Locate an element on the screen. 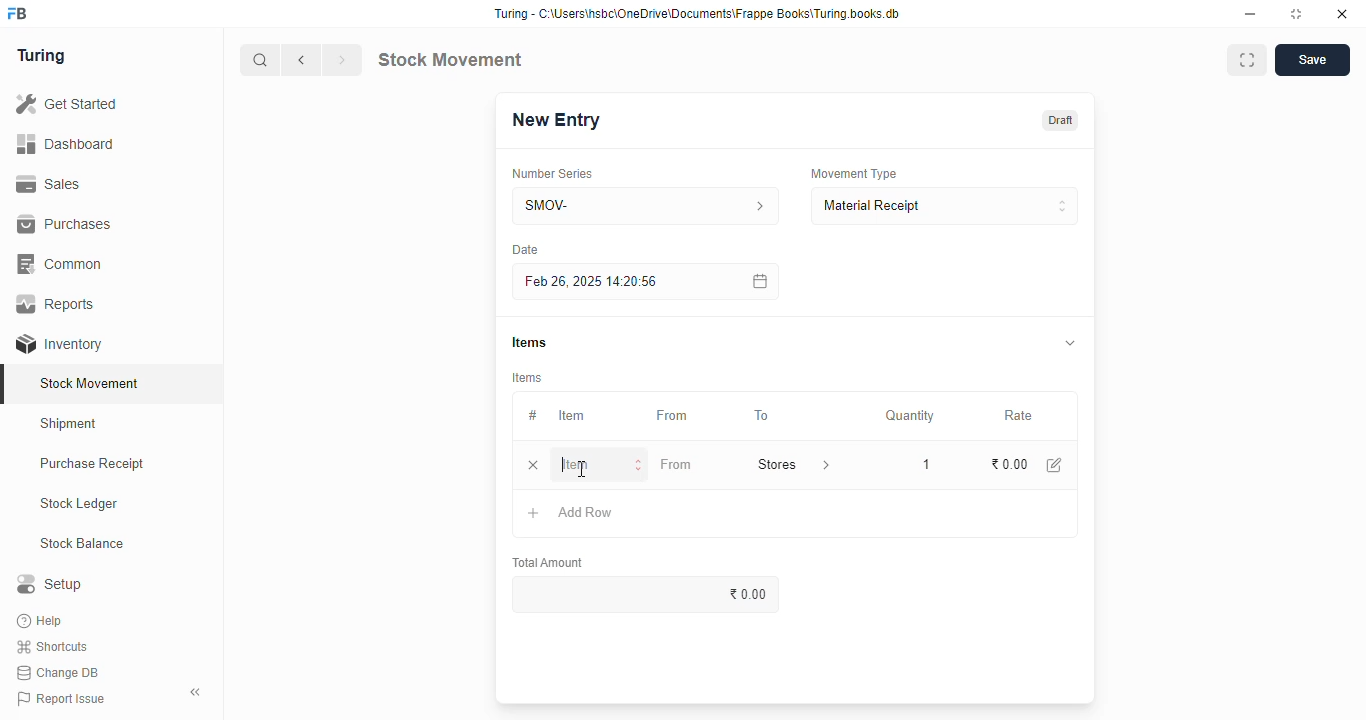 This screenshot has width=1366, height=720. change DB is located at coordinates (58, 673).